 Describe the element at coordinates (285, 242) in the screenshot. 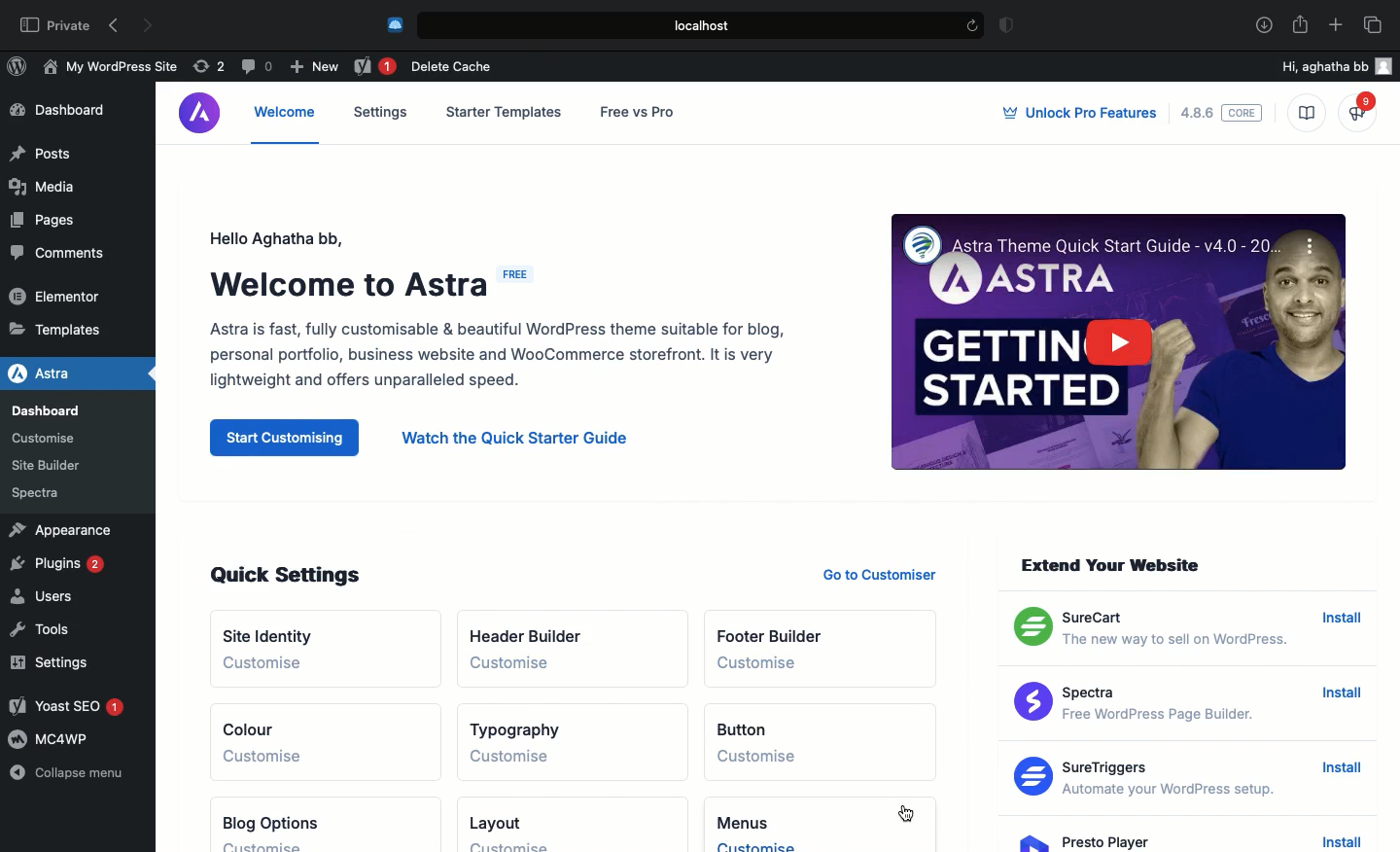

I see `Hello user` at that location.